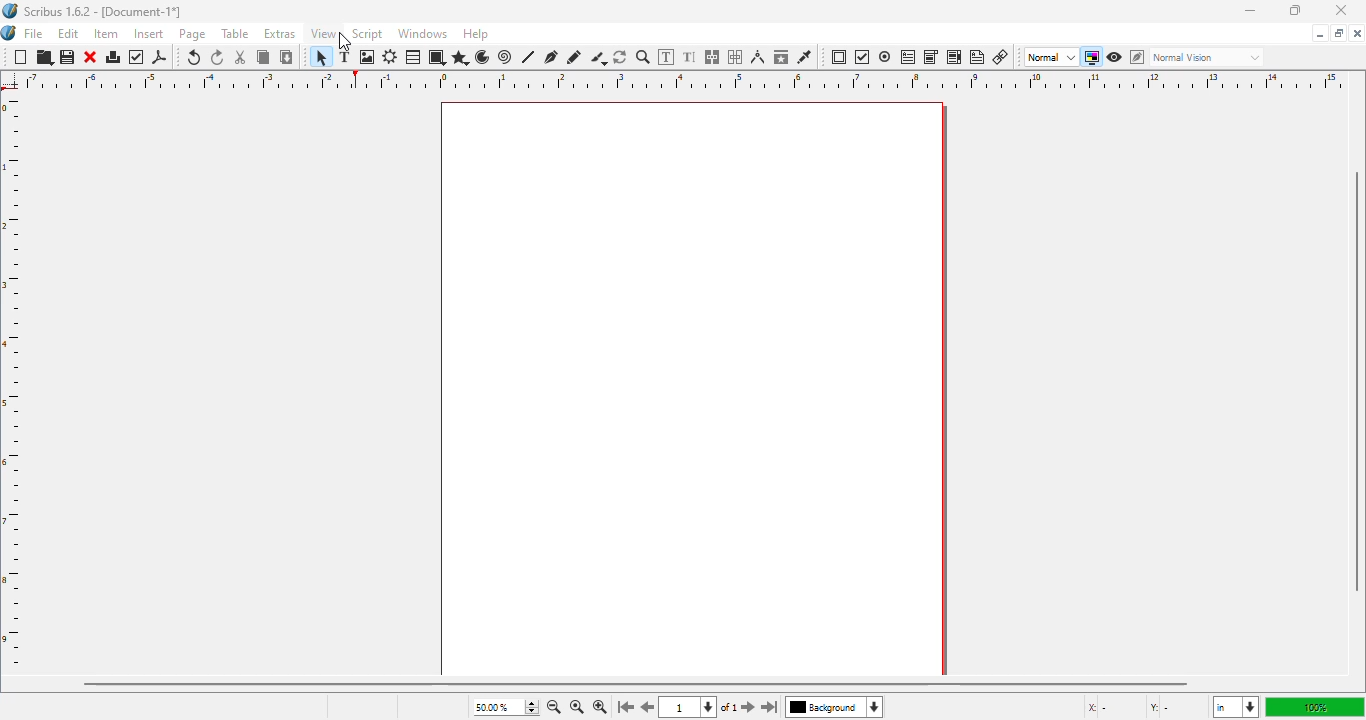  Describe the element at coordinates (1249, 10) in the screenshot. I see `minimize` at that location.